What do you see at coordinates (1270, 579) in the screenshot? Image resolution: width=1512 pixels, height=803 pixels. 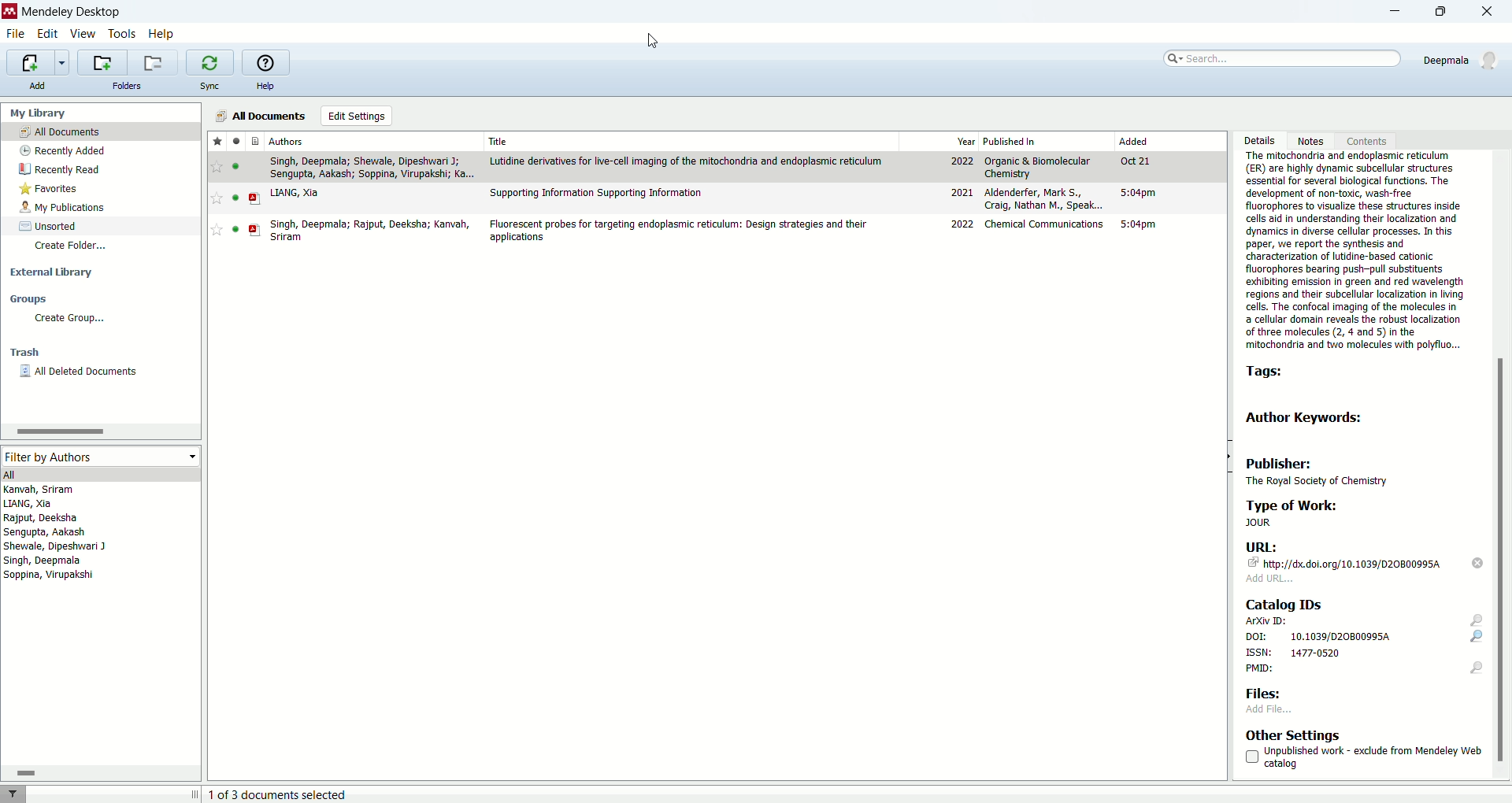 I see `add URL` at bounding box center [1270, 579].